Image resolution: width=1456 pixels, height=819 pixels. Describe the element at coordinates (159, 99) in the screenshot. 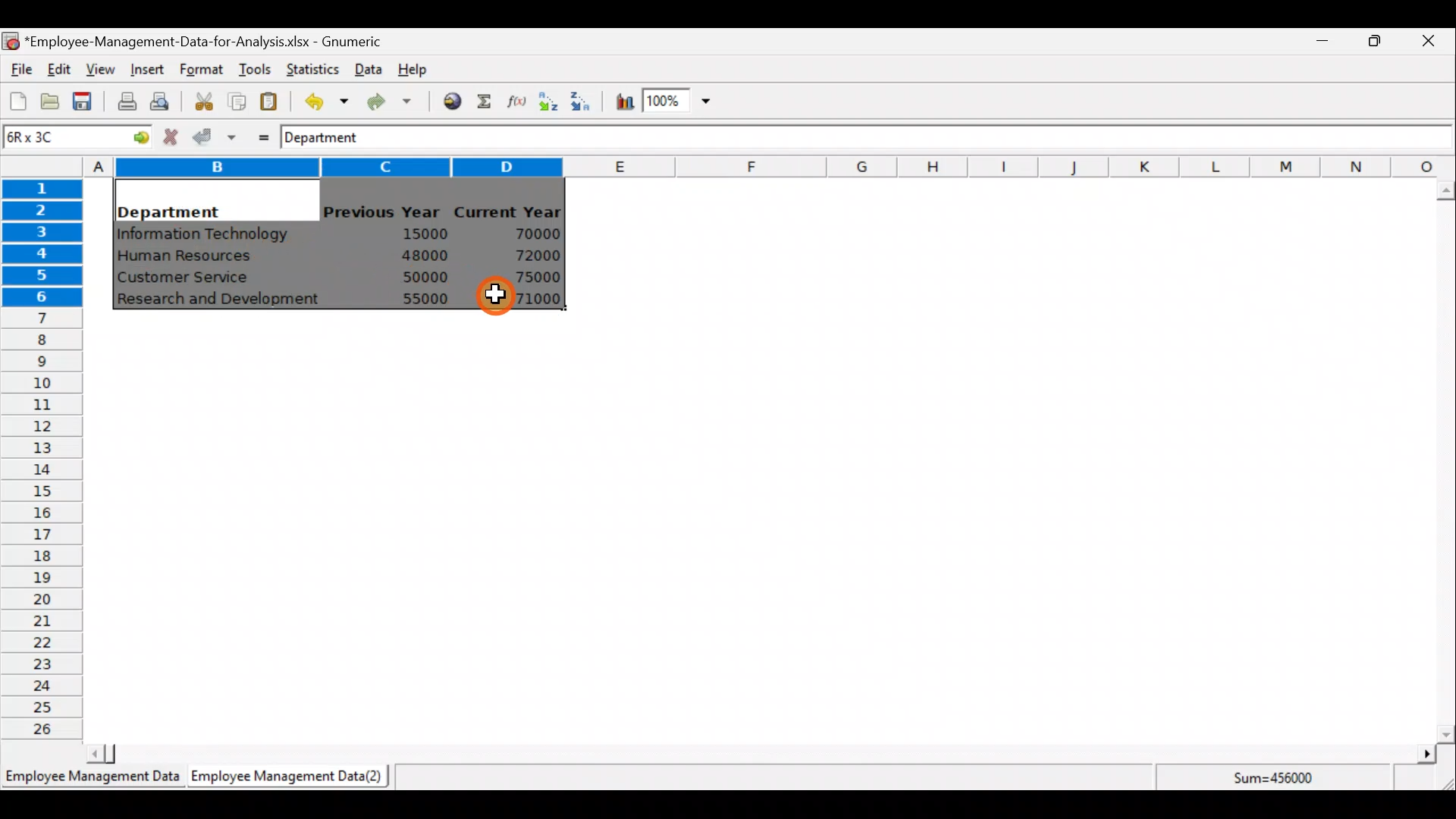

I see `Print preview` at that location.